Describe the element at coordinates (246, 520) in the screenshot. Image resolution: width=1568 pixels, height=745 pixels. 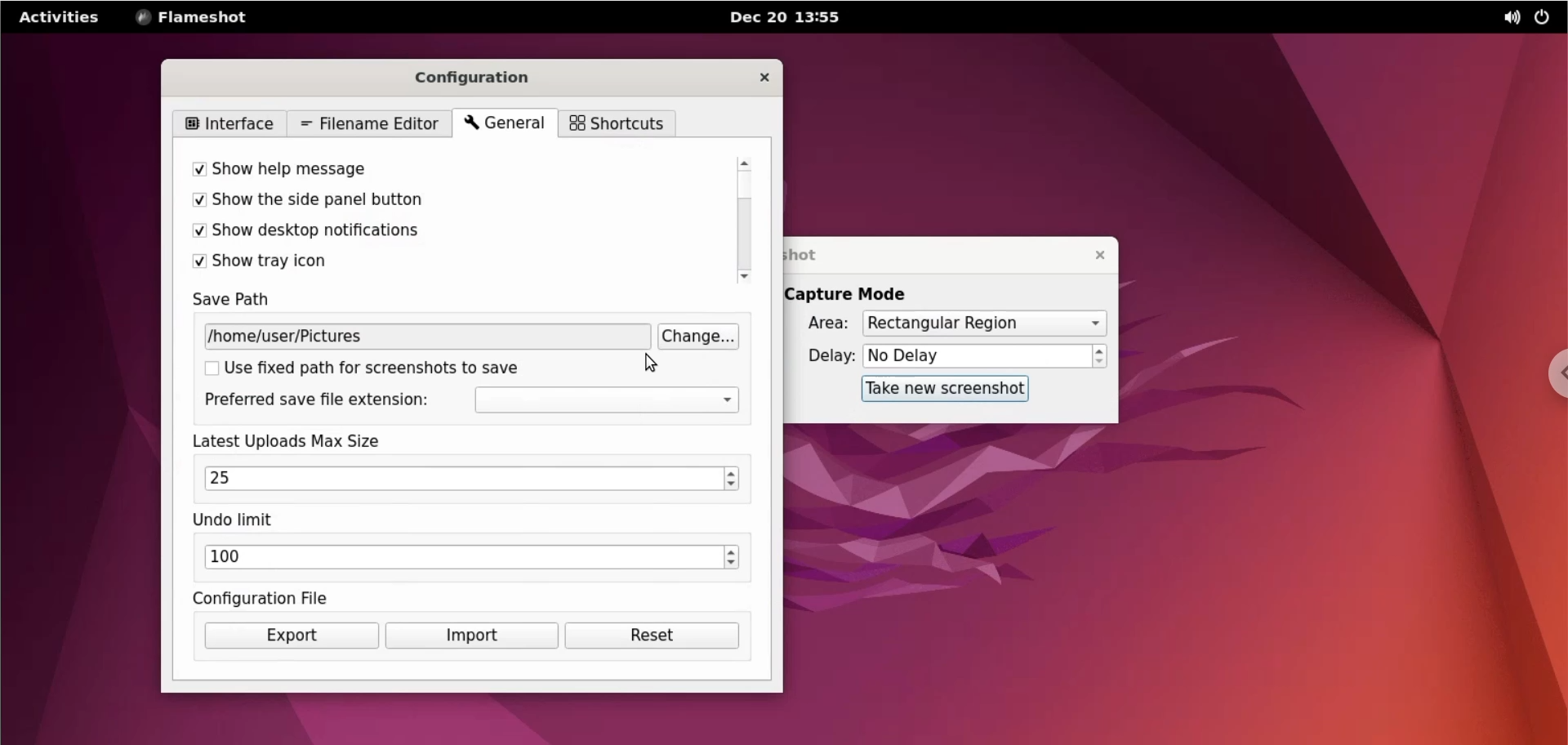
I see `undo limit ` at that location.